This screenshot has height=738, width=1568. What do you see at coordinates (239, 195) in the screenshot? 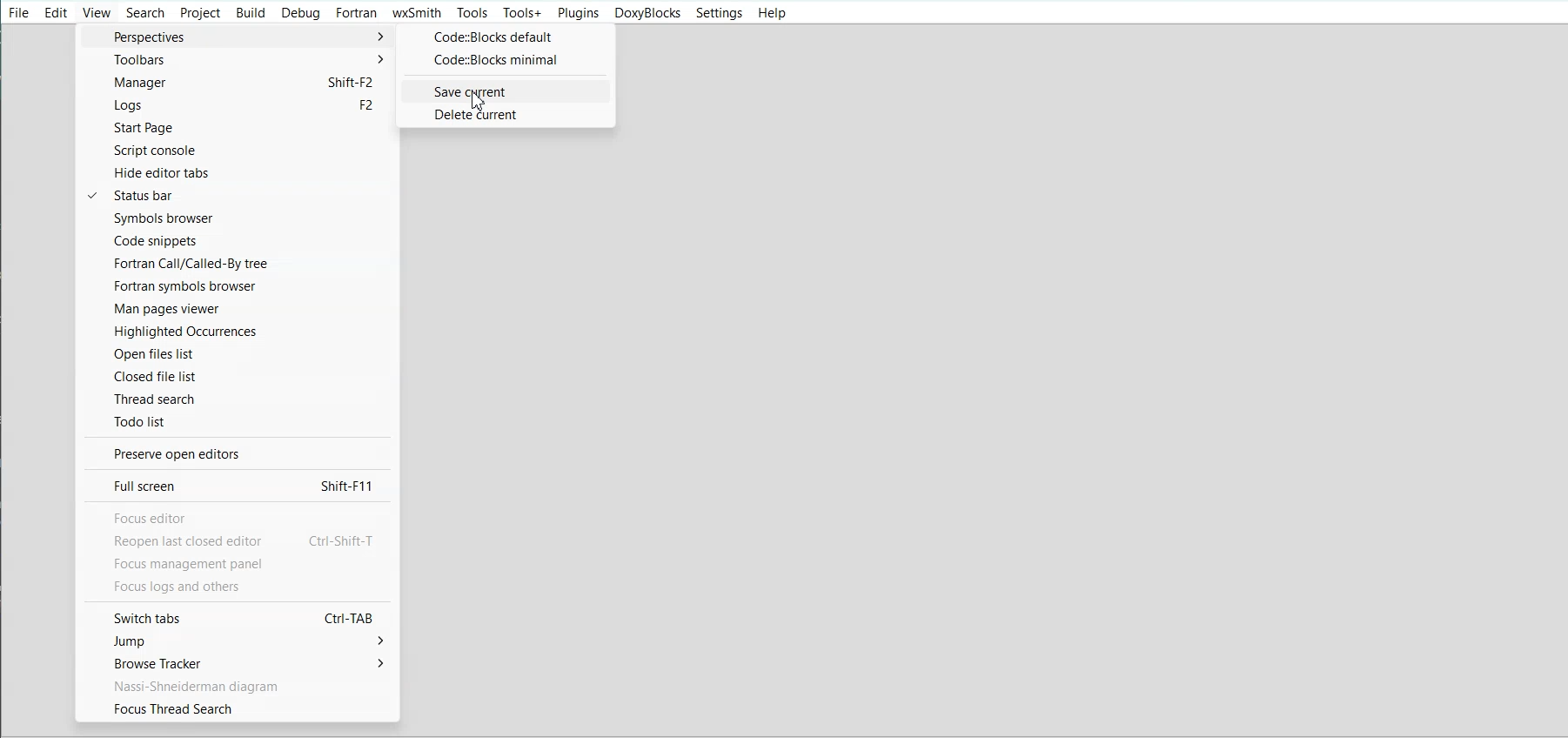
I see `Status bar` at bounding box center [239, 195].